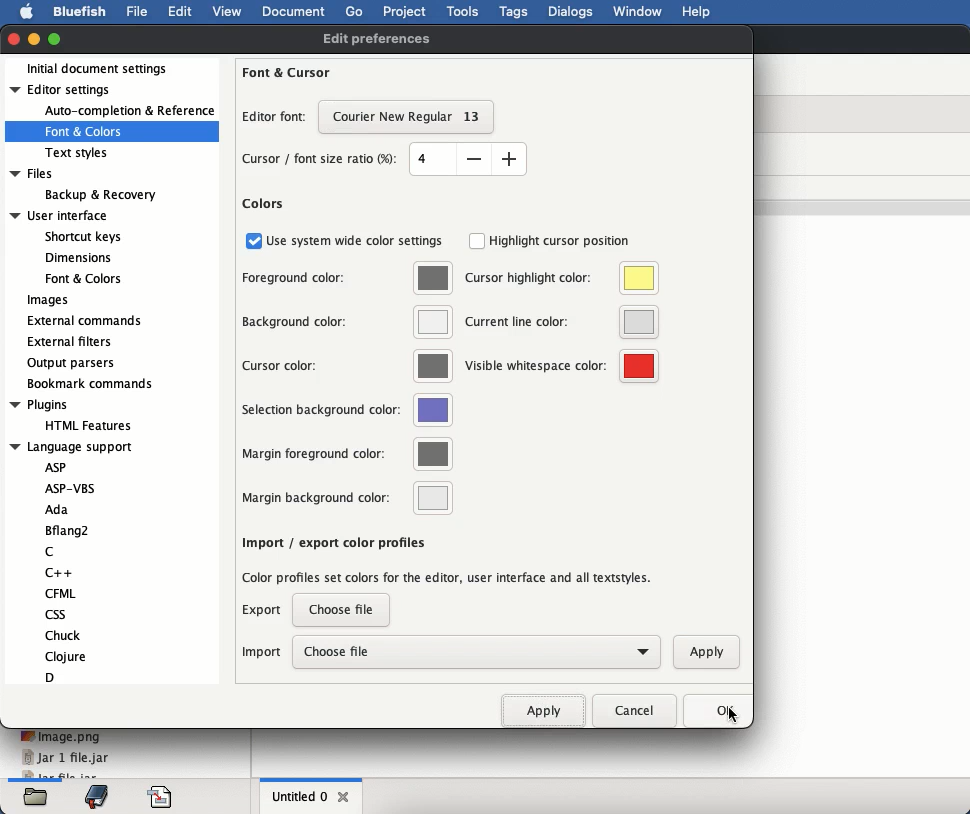 Image resolution: width=970 pixels, height=814 pixels. I want to click on margin foreground color, so click(346, 455).